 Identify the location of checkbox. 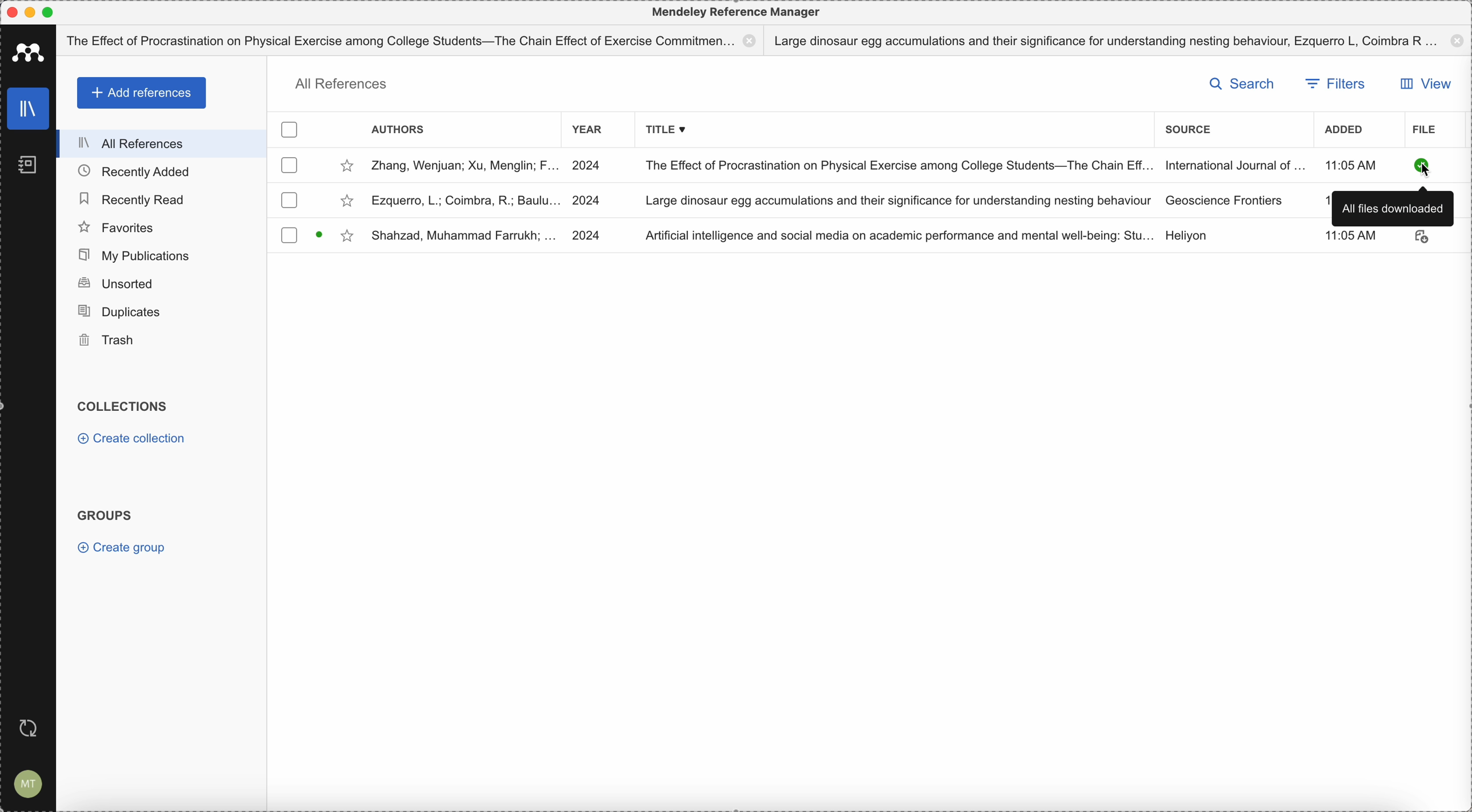
(289, 235).